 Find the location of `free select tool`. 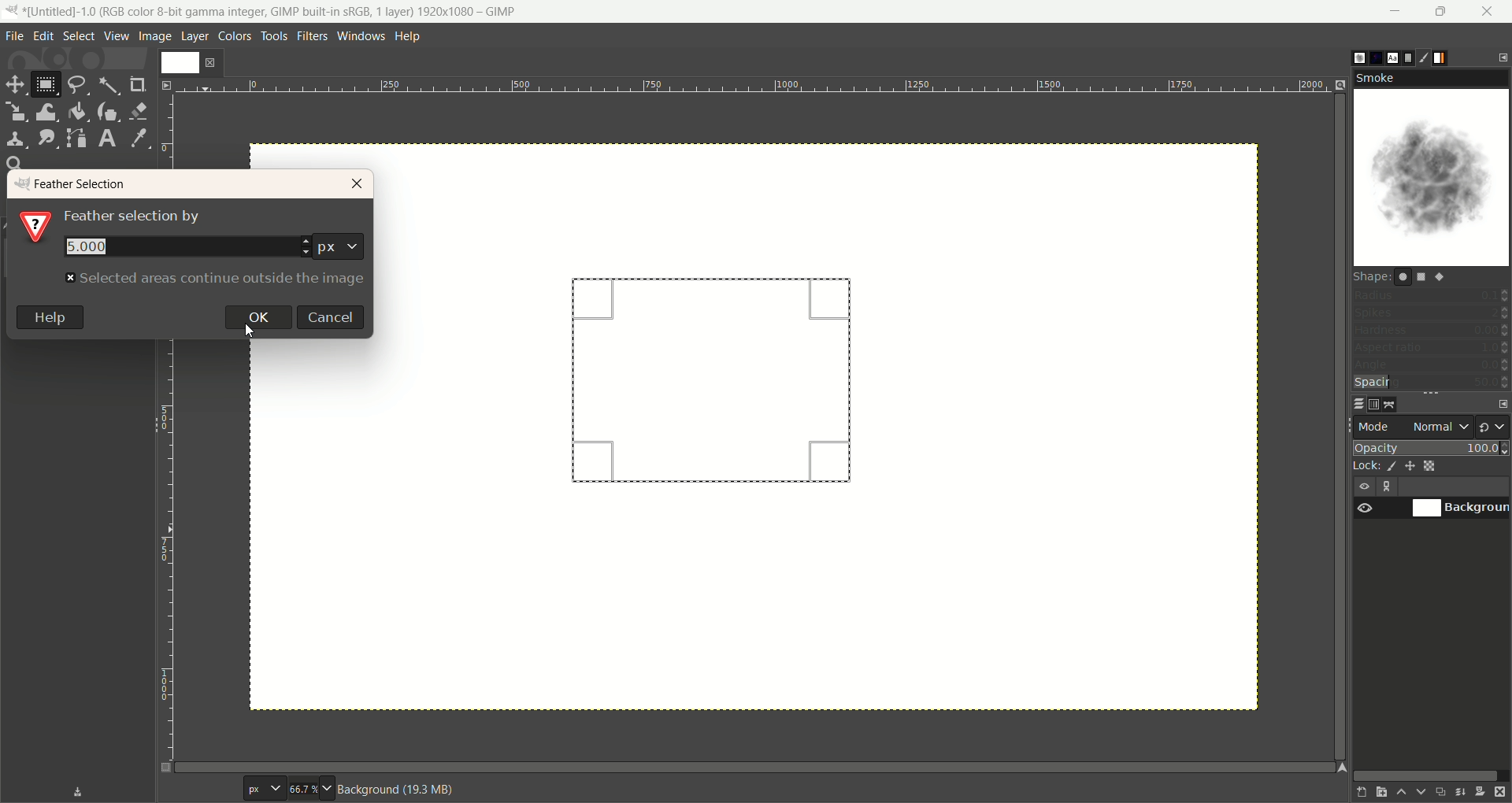

free select tool is located at coordinates (79, 86).